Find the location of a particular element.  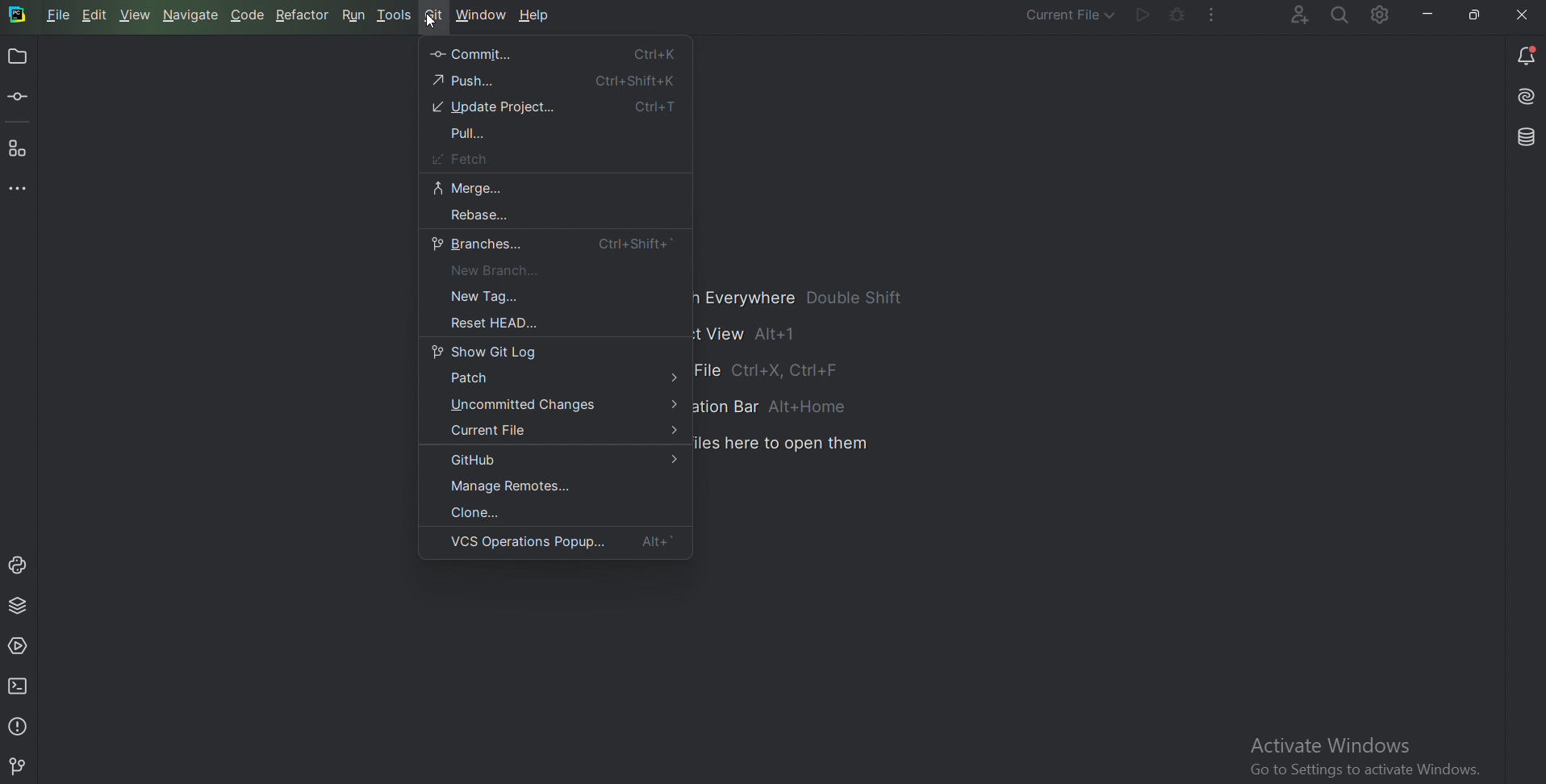

Search everywhere is located at coordinates (1338, 16).